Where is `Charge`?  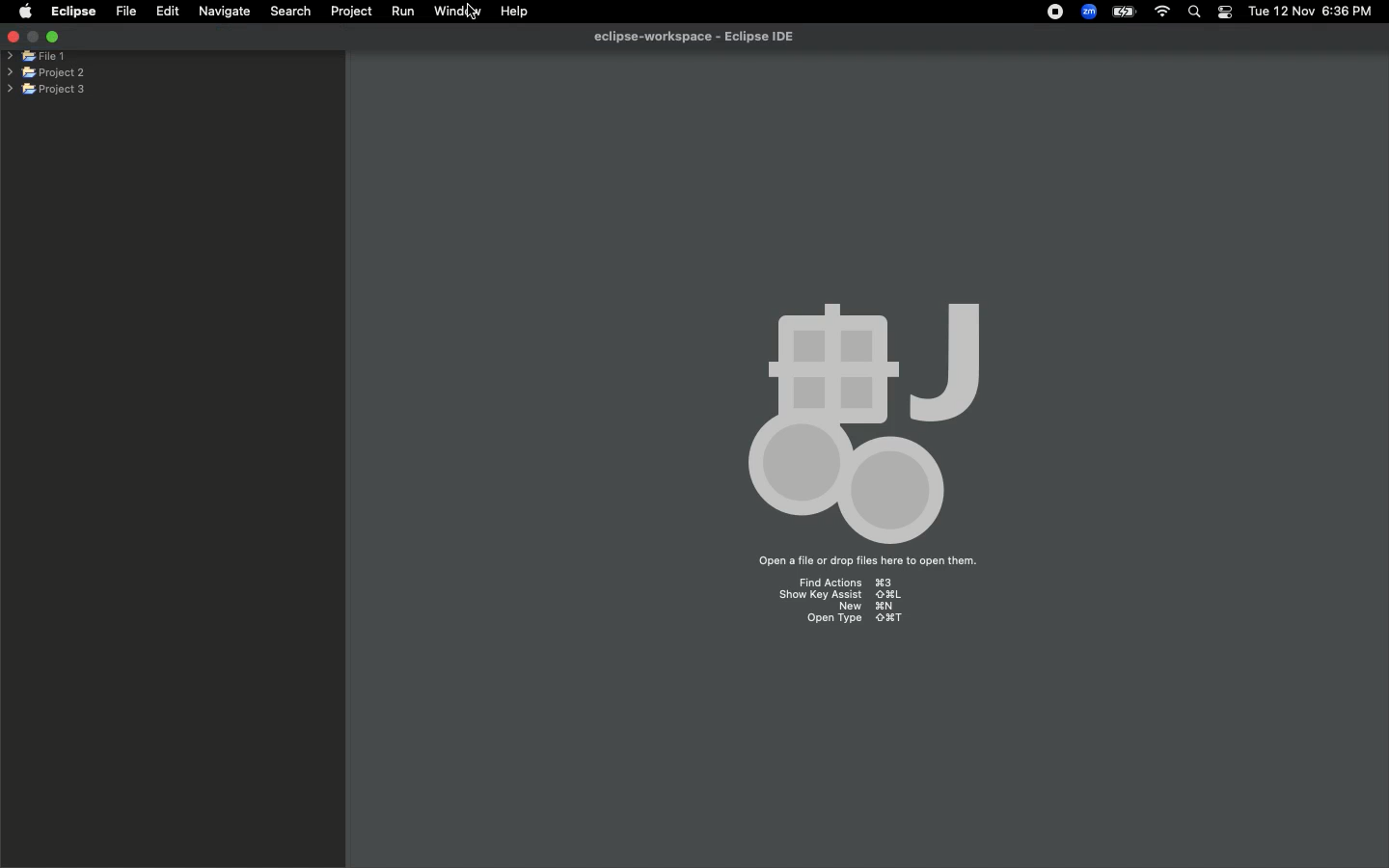
Charge is located at coordinates (1122, 12).